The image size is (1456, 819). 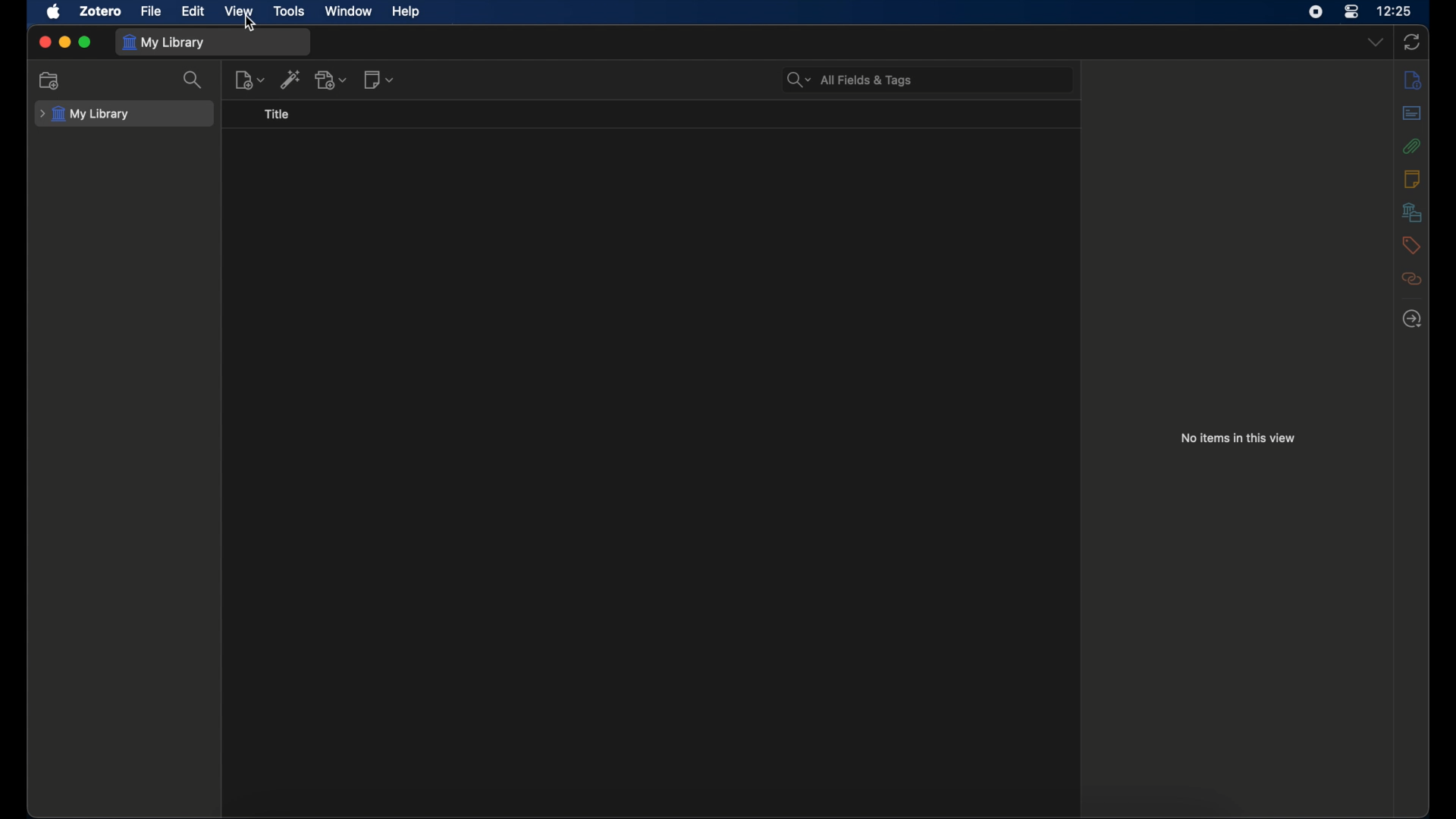 I want to click on no times in this view, so click(x=1238, y=438).